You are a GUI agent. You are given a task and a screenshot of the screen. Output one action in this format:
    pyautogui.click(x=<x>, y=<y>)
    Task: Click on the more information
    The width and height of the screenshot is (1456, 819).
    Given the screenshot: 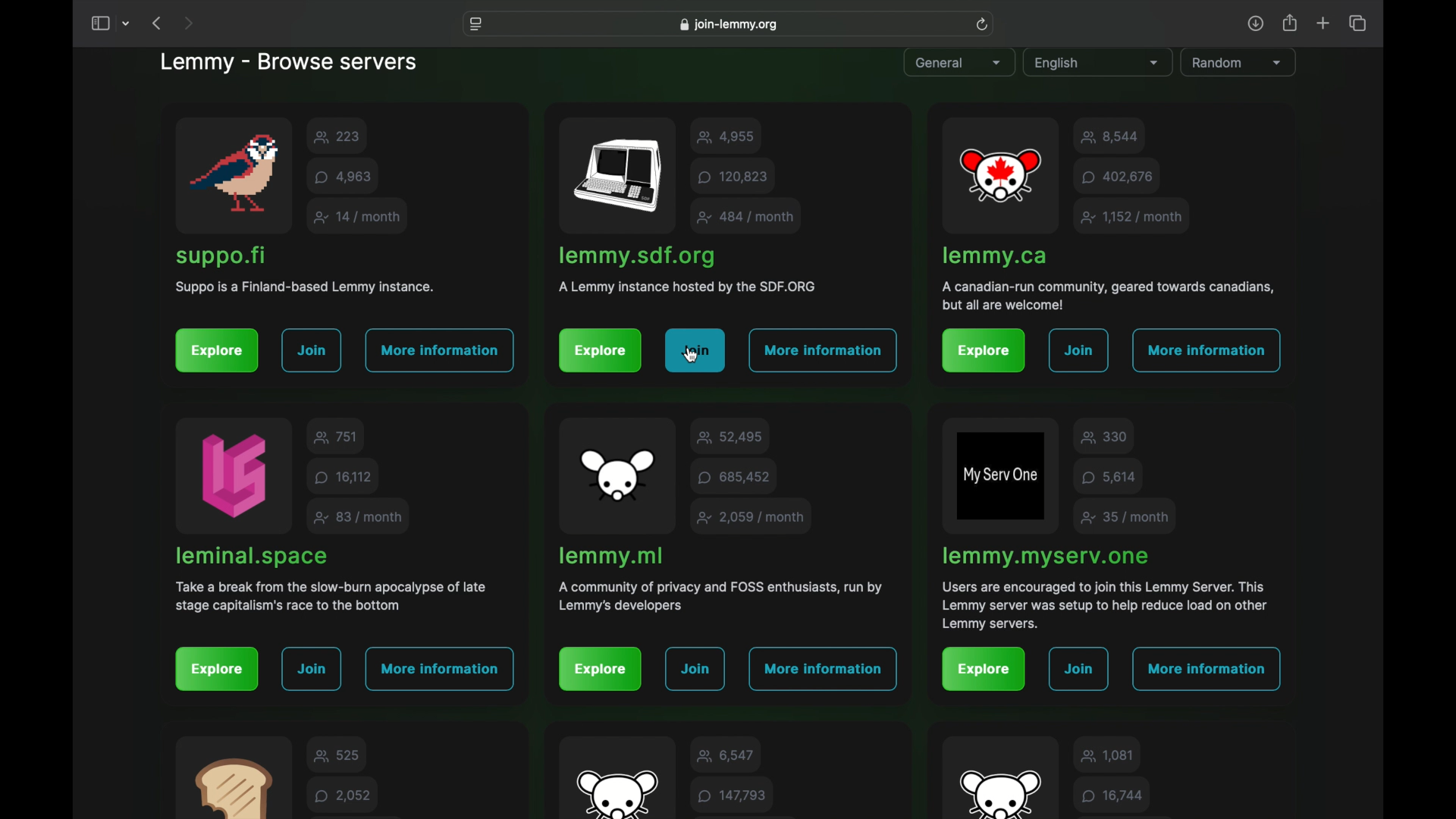 What is the action you would take?
    pyautogui.click(x=1209, y=350)
    